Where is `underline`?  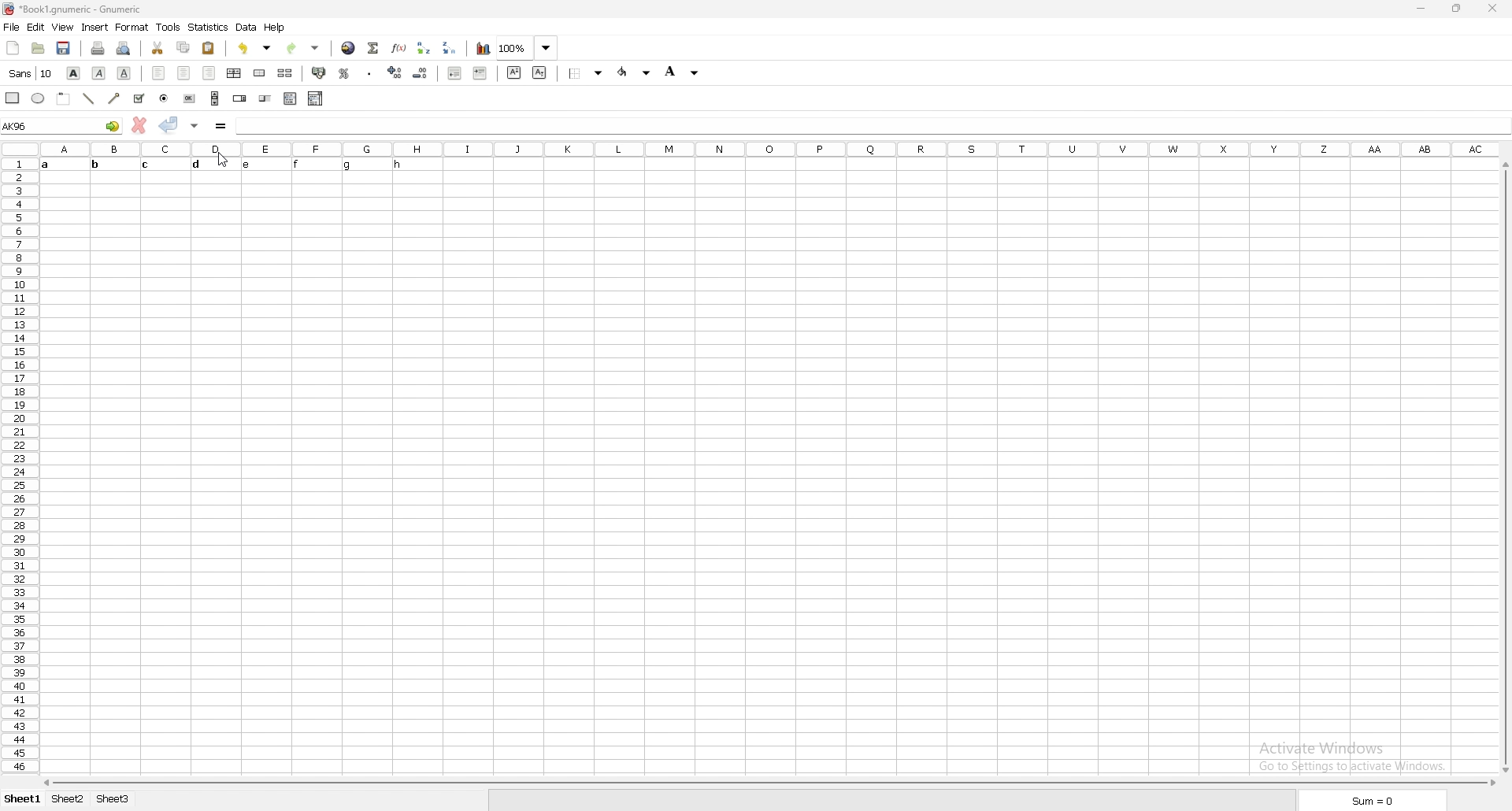 underline is located at coordinates (124, 73).